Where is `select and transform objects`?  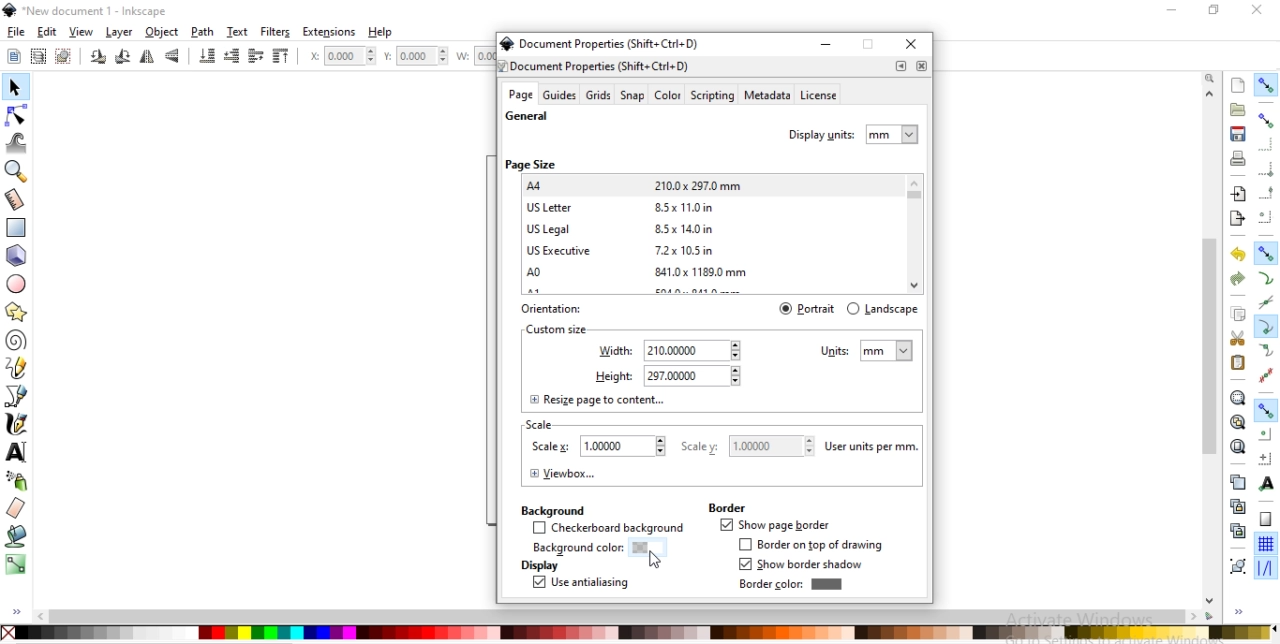
select and transform objects is located at coordinates (14, 88).